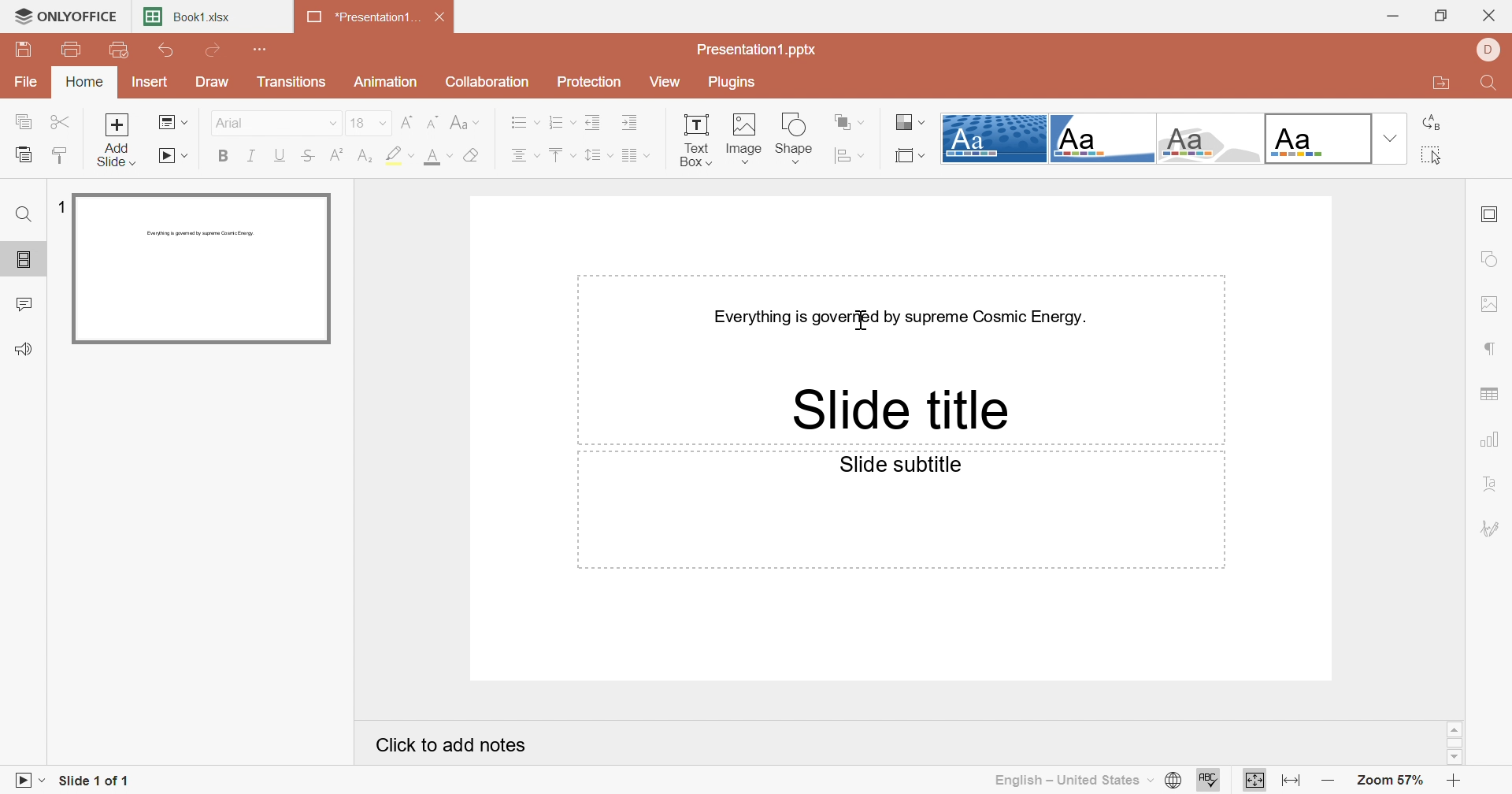 This screenshot has height=794, width=1512. What do you see at coordinates (1175, 781) in the screenshot?
I see `Set document language` at bounding box center [1175, 781].